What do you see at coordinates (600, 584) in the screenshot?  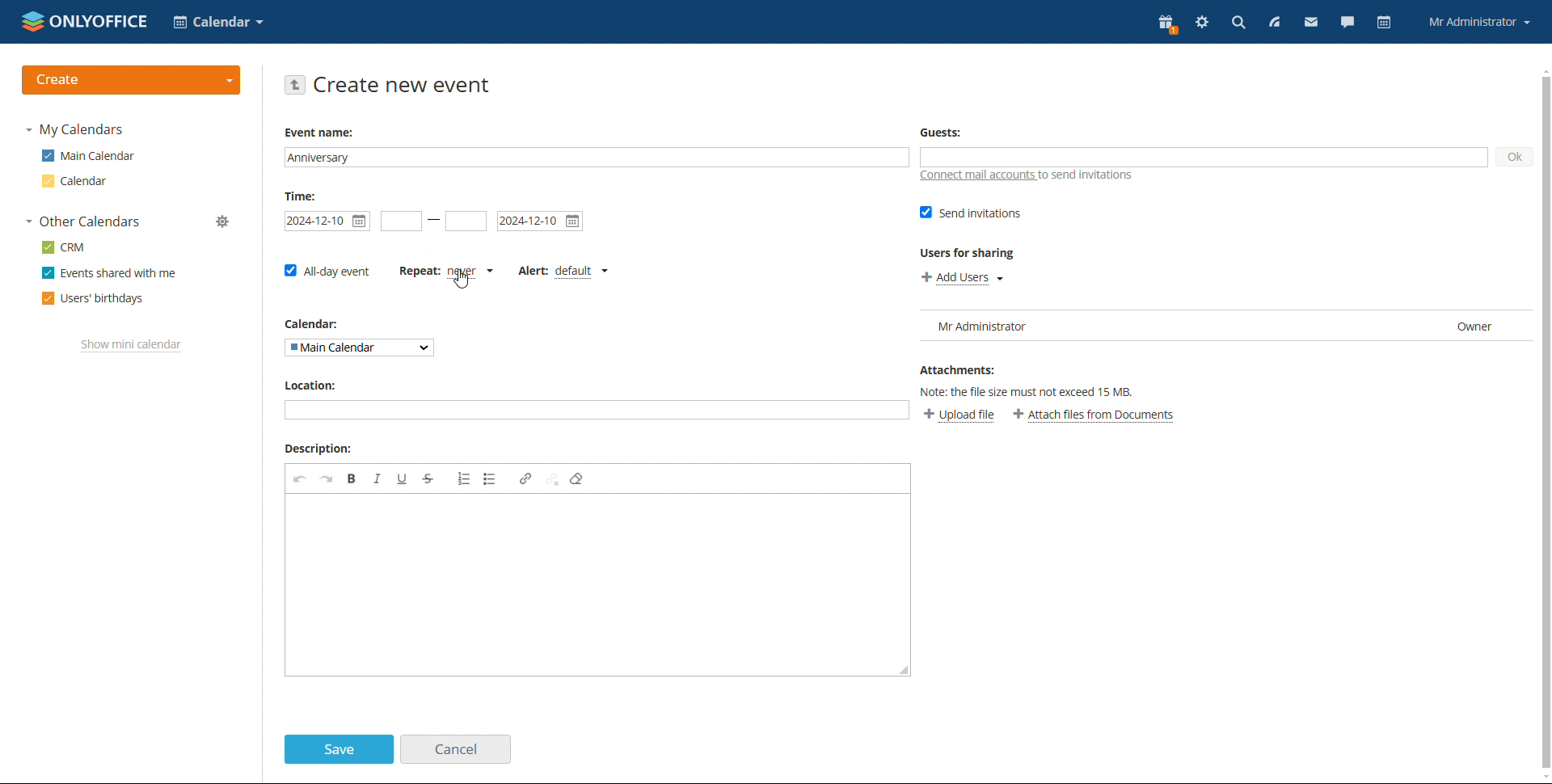 I see `` at bounding box center [600, 584].